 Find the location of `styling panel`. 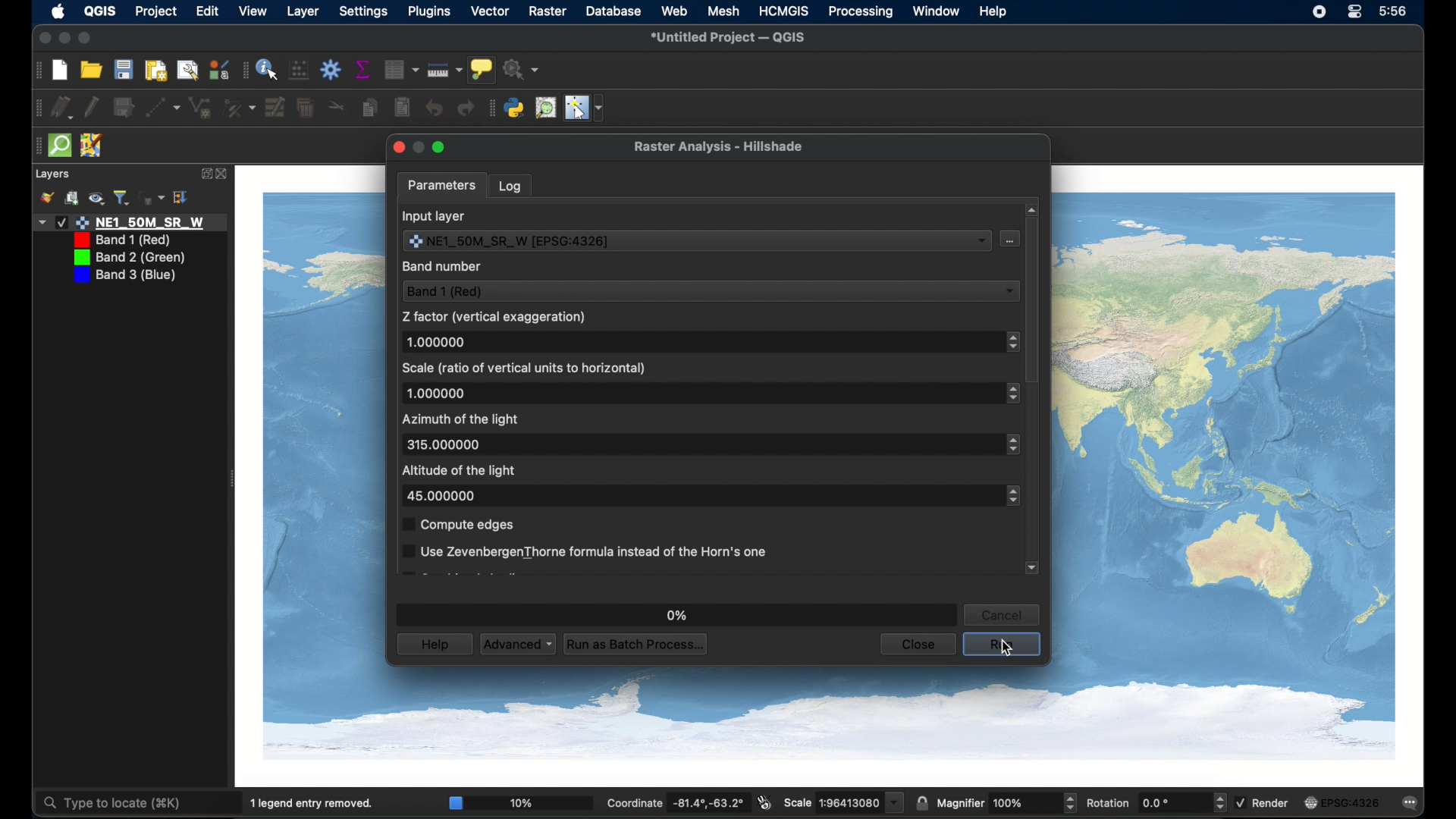

styling panel is located at coordinates (46, 199).